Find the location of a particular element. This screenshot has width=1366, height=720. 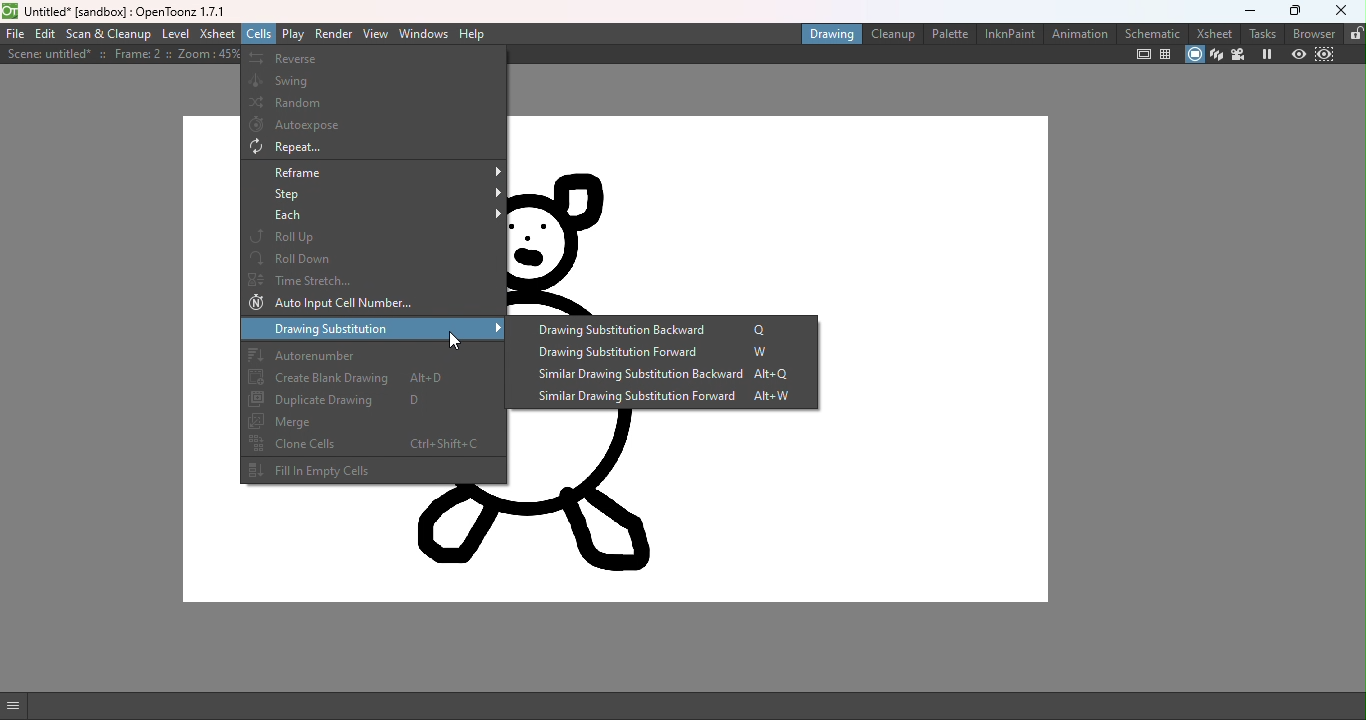

Duplicate drawing is located at coordinates (371, 401).